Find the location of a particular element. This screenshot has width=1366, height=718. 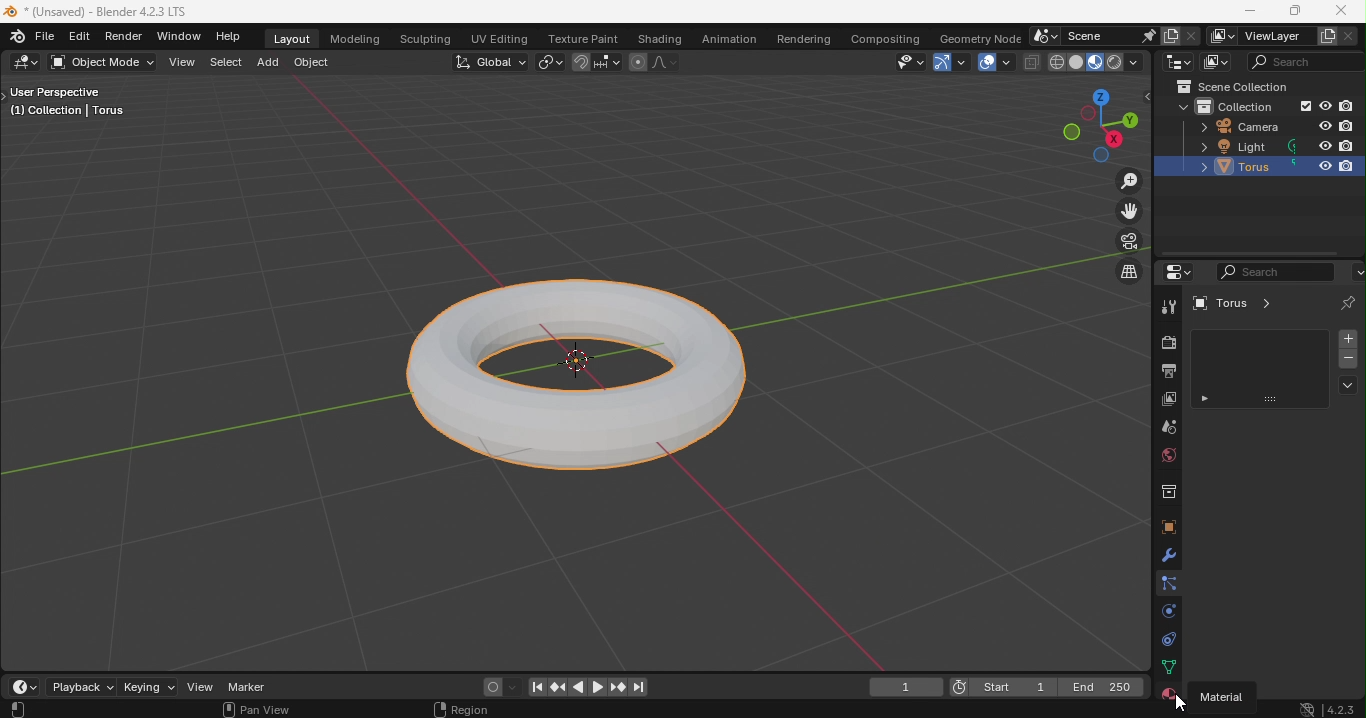

Toggle X-ray is located at coordinates (1029, 62).